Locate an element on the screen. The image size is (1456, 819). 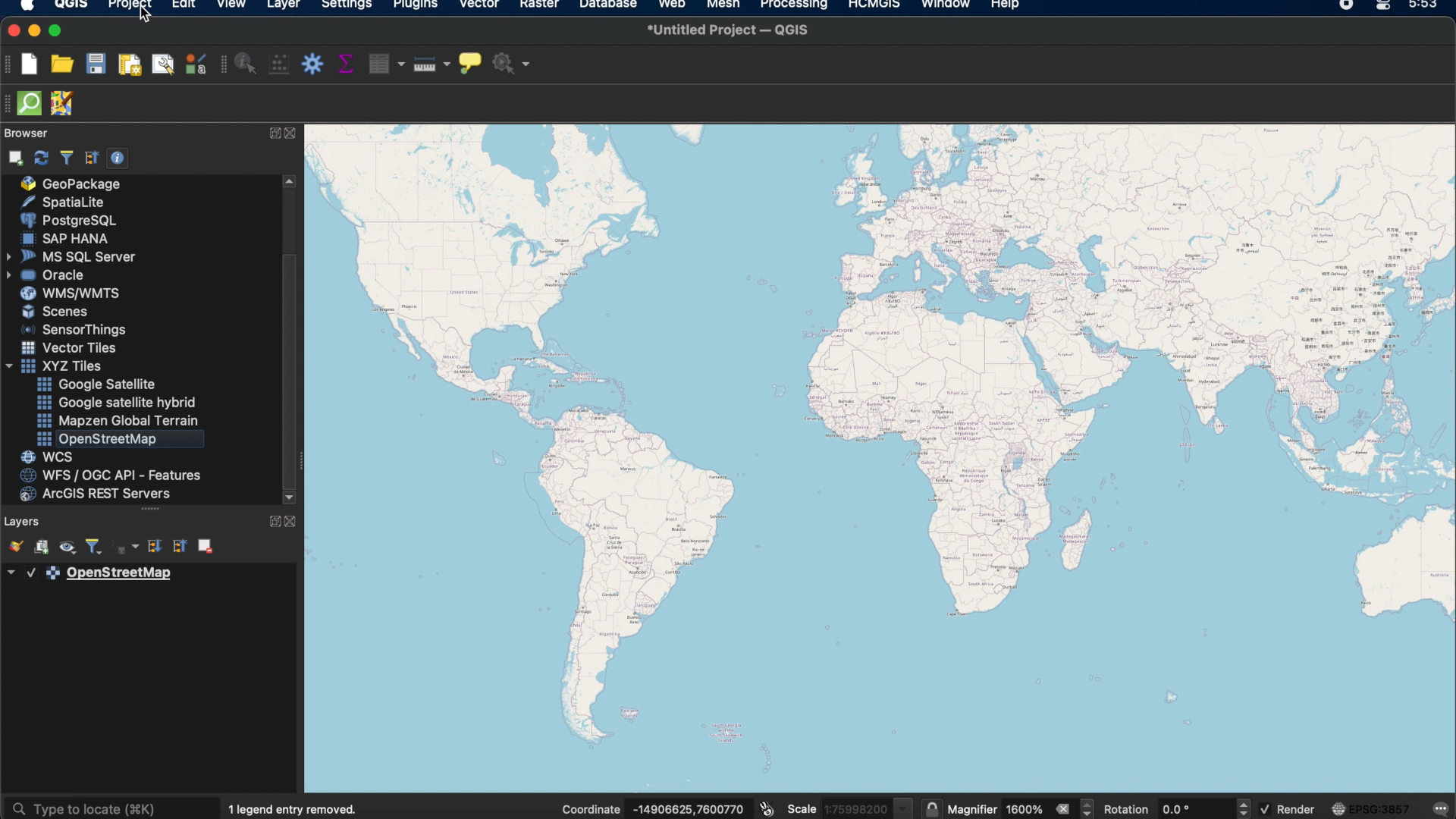
untitled project QGIS is located at coordinates (733, 30).